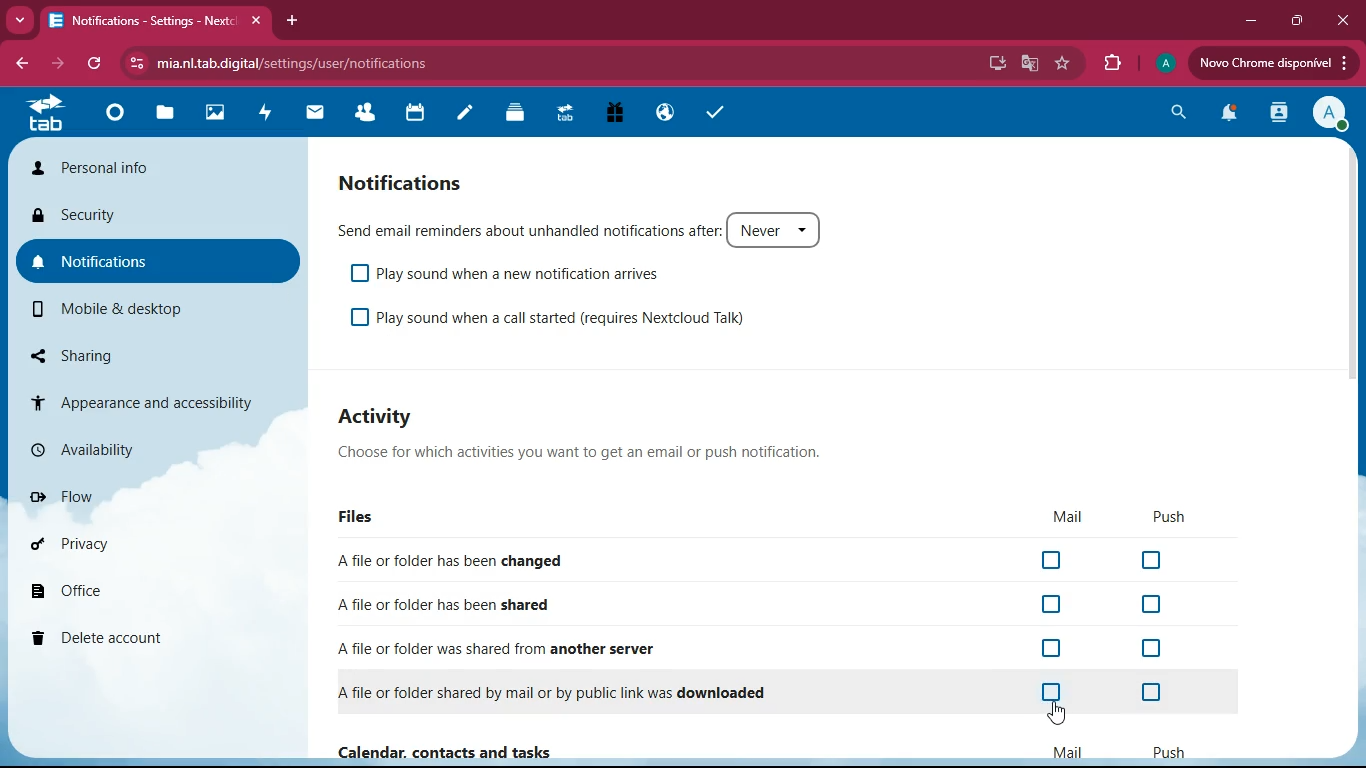 This screenshot has width=1366, height=768. Describe the element at coordinates (262, 115) in the screenshot. I see `activity` at that location.